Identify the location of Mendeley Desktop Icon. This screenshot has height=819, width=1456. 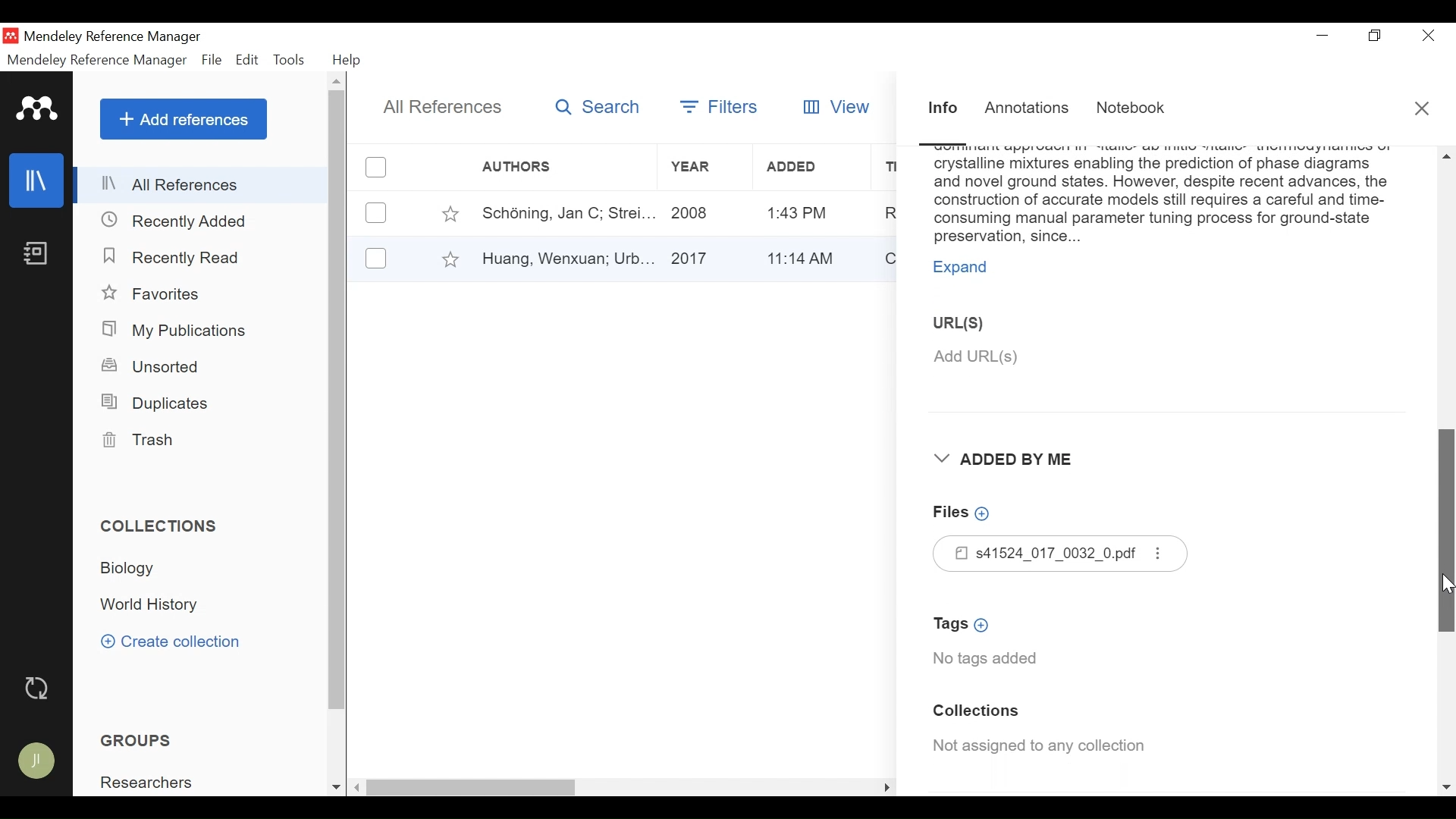
(10, 36).